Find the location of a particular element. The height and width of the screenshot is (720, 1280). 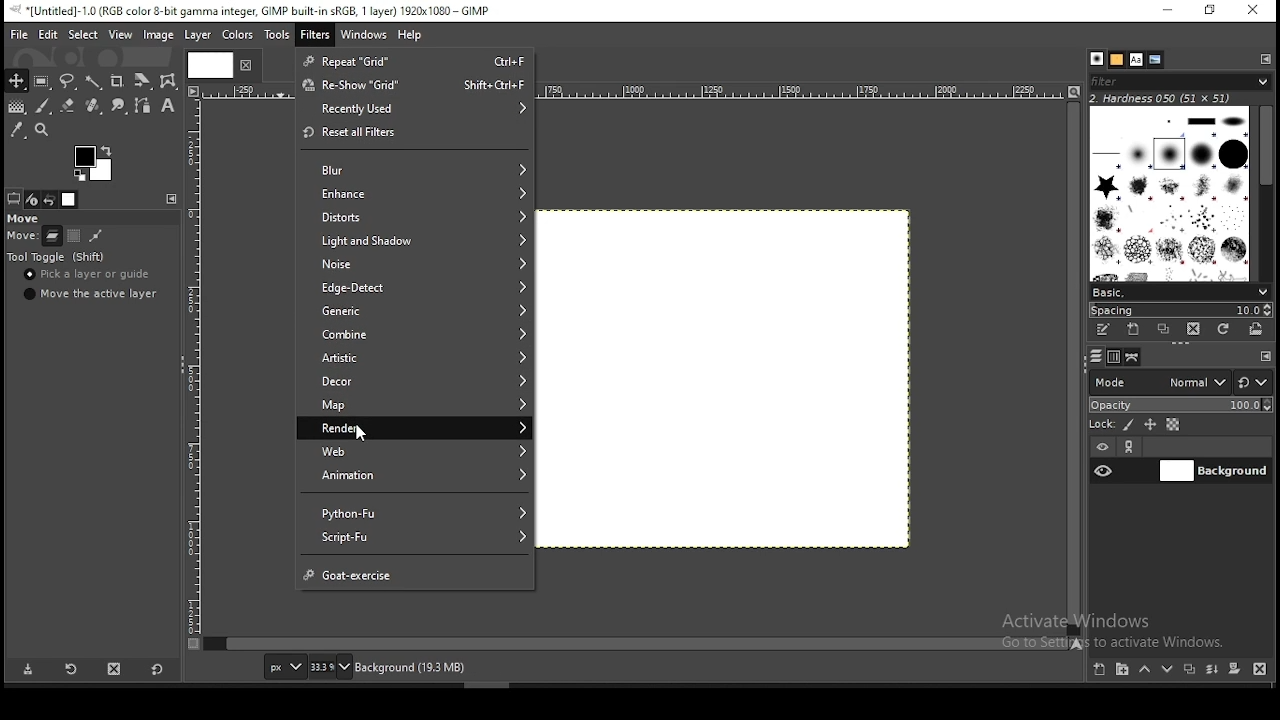

zoom status is located at coordinates (331, 667).